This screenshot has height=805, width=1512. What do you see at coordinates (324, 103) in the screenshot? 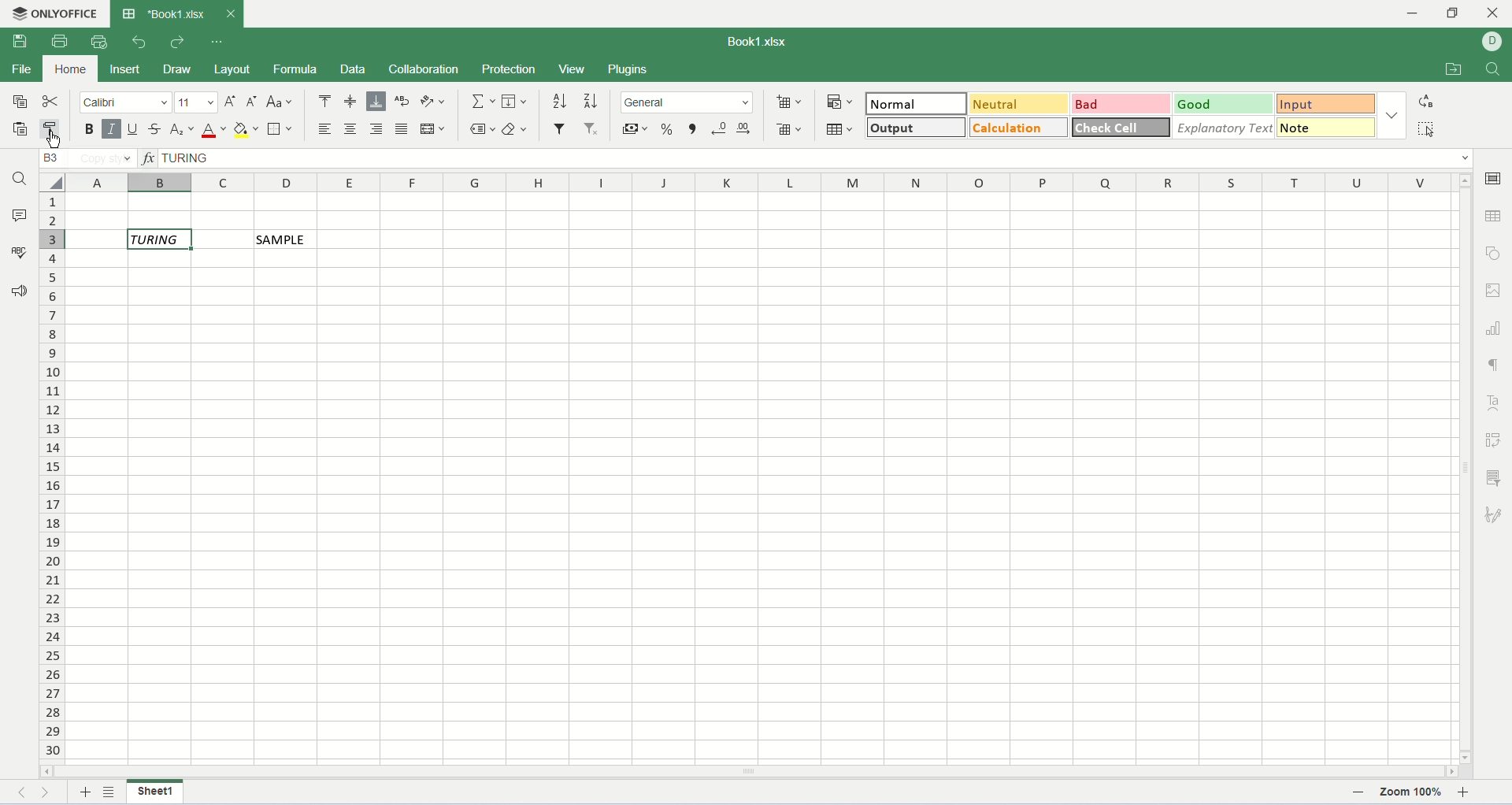
I see `align top` at bounding box center [324, 103].